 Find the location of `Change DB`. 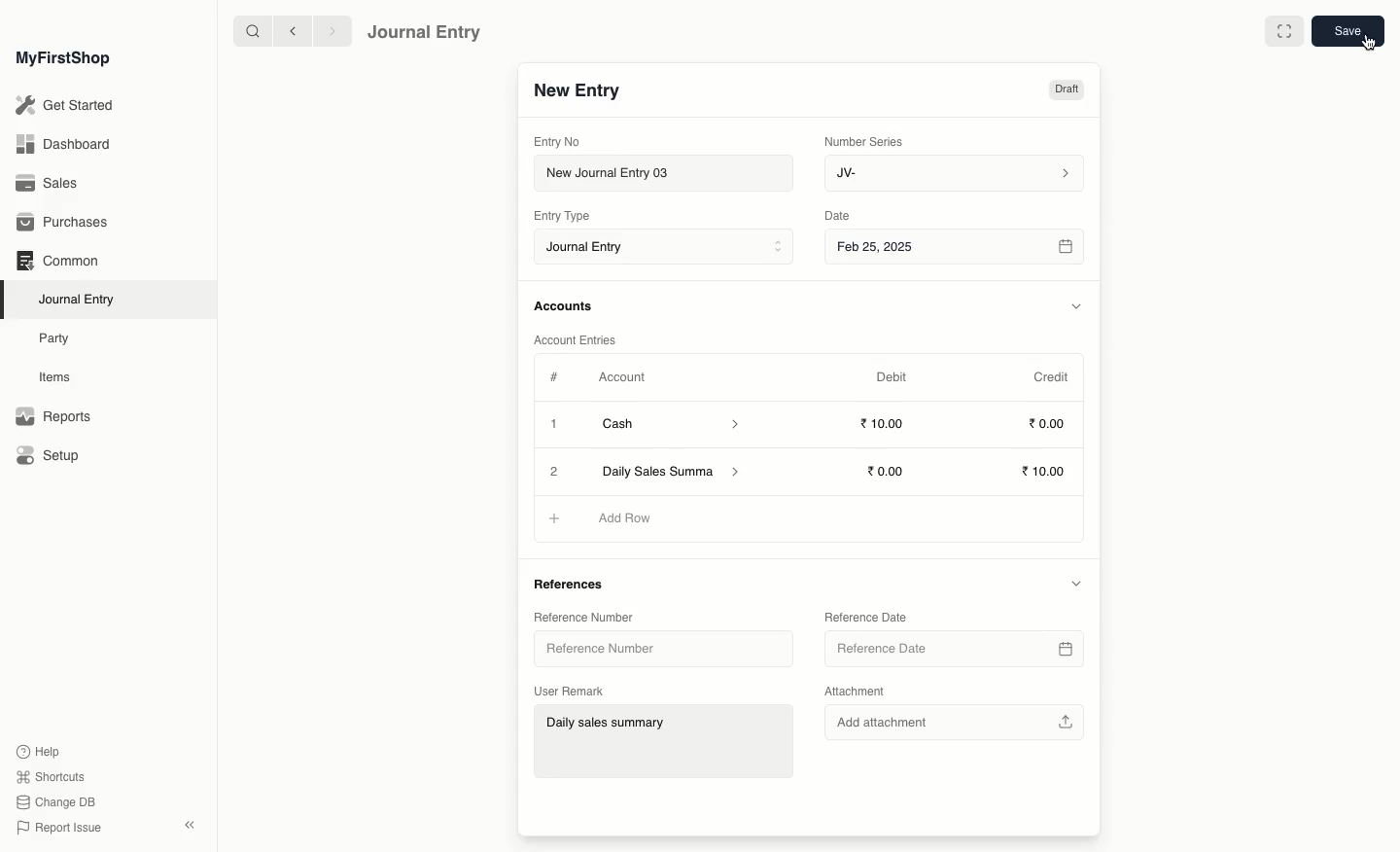

Change DB is located at coordinates (56, 803).